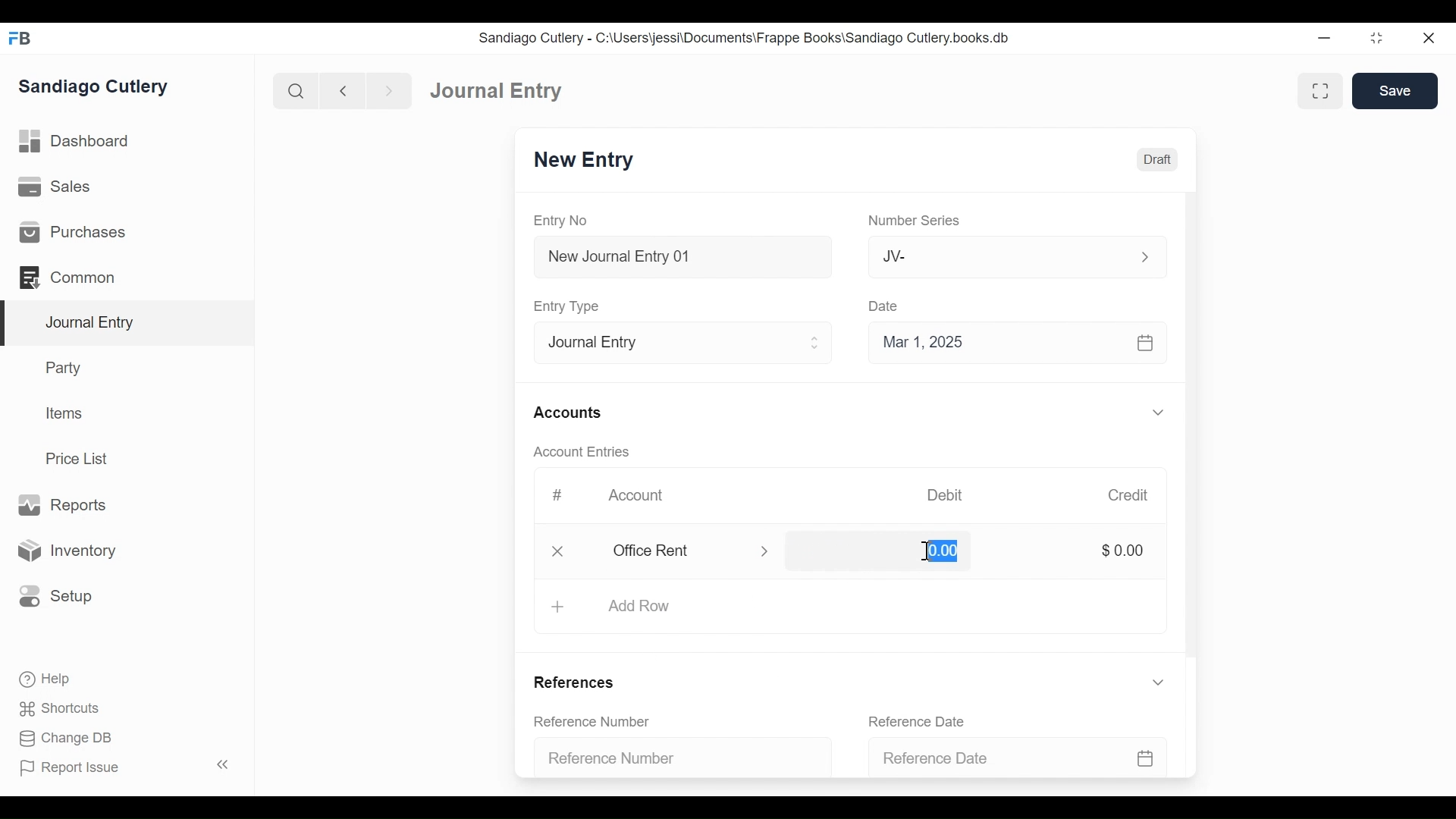 Image resolution: width=1456 pixels, height=819 pixels. What do you see at coordinates (1007, 257) in the screenshot?
I see `Jv-` at bounding box center [1007, 257].